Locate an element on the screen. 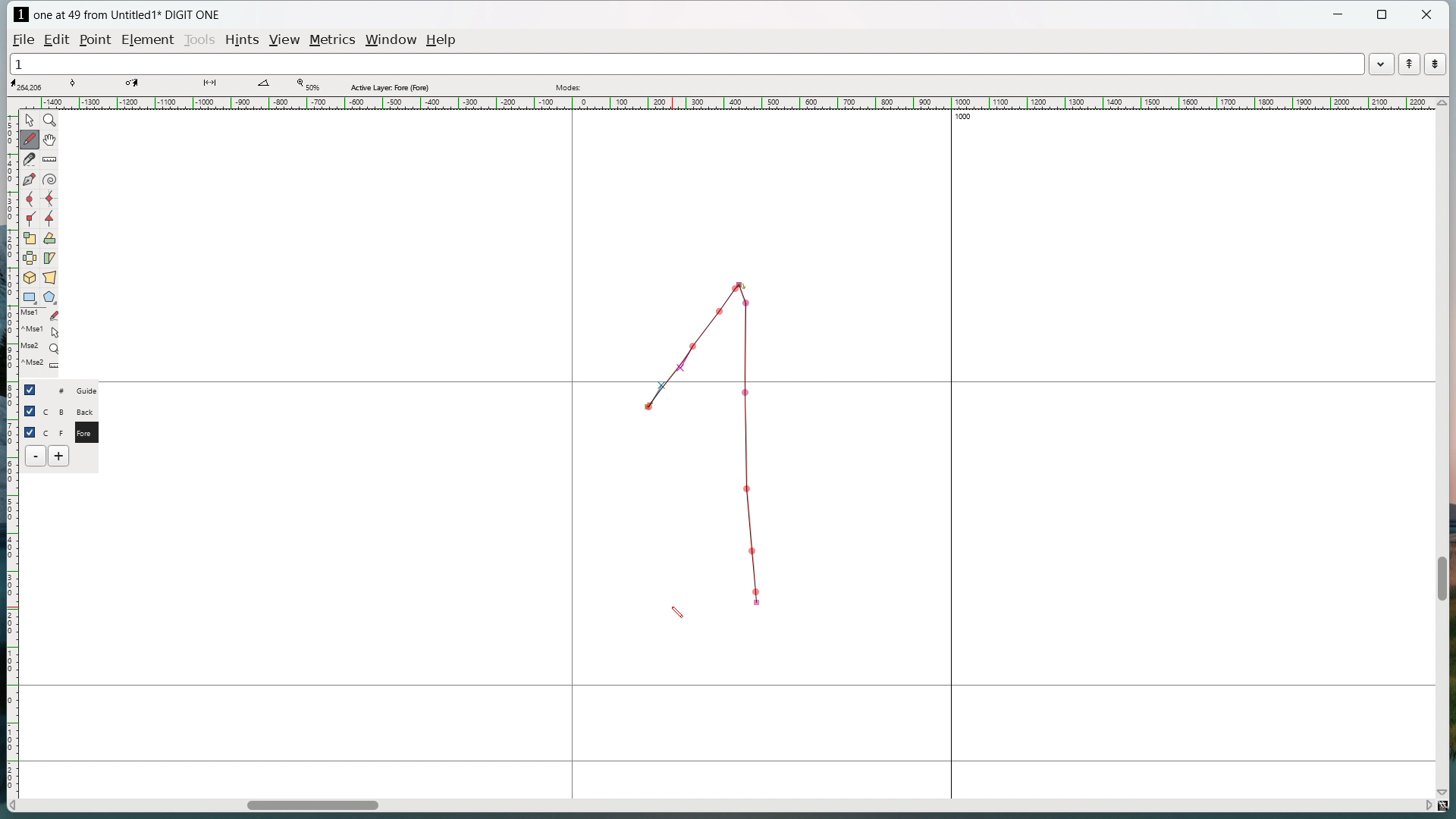 The height and width of the screenshot is (819, 1456). cursor is located at coordinates (679, 612).